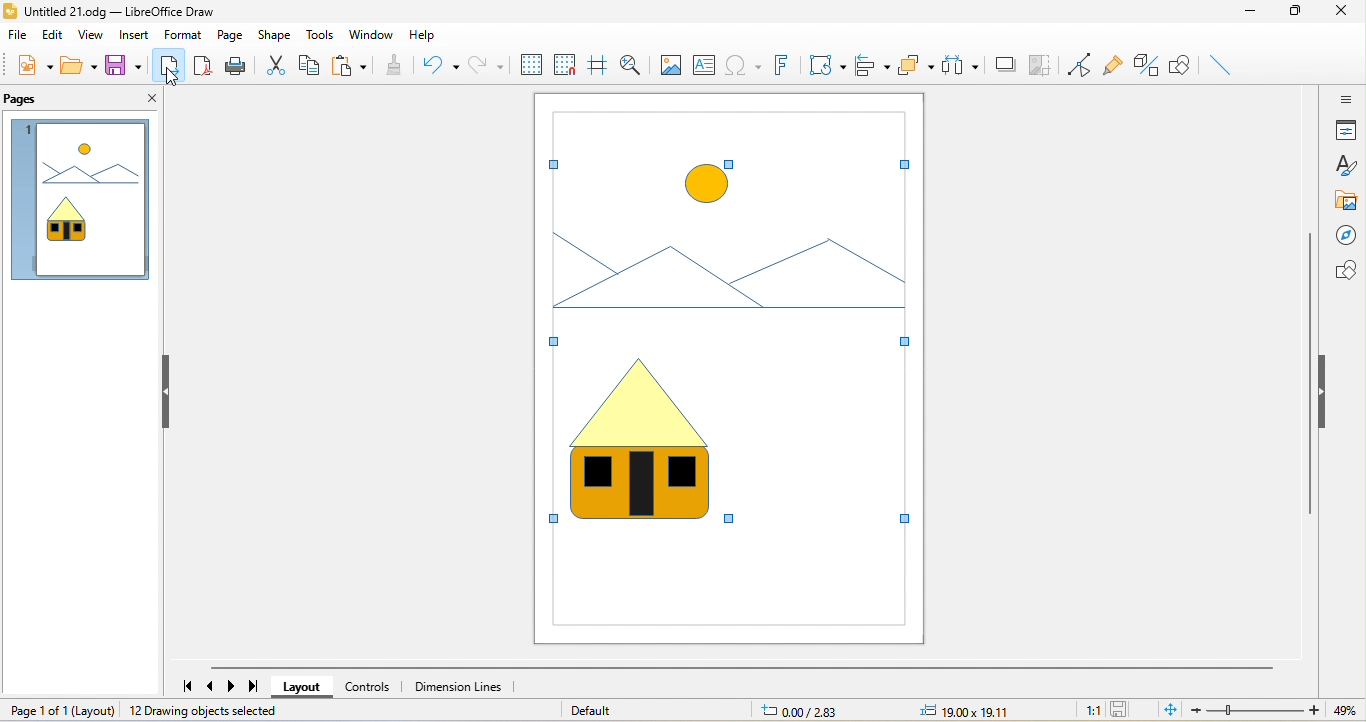  Describe the element at coordinates (233, 686) in the screenshot. I see `next` at that location.